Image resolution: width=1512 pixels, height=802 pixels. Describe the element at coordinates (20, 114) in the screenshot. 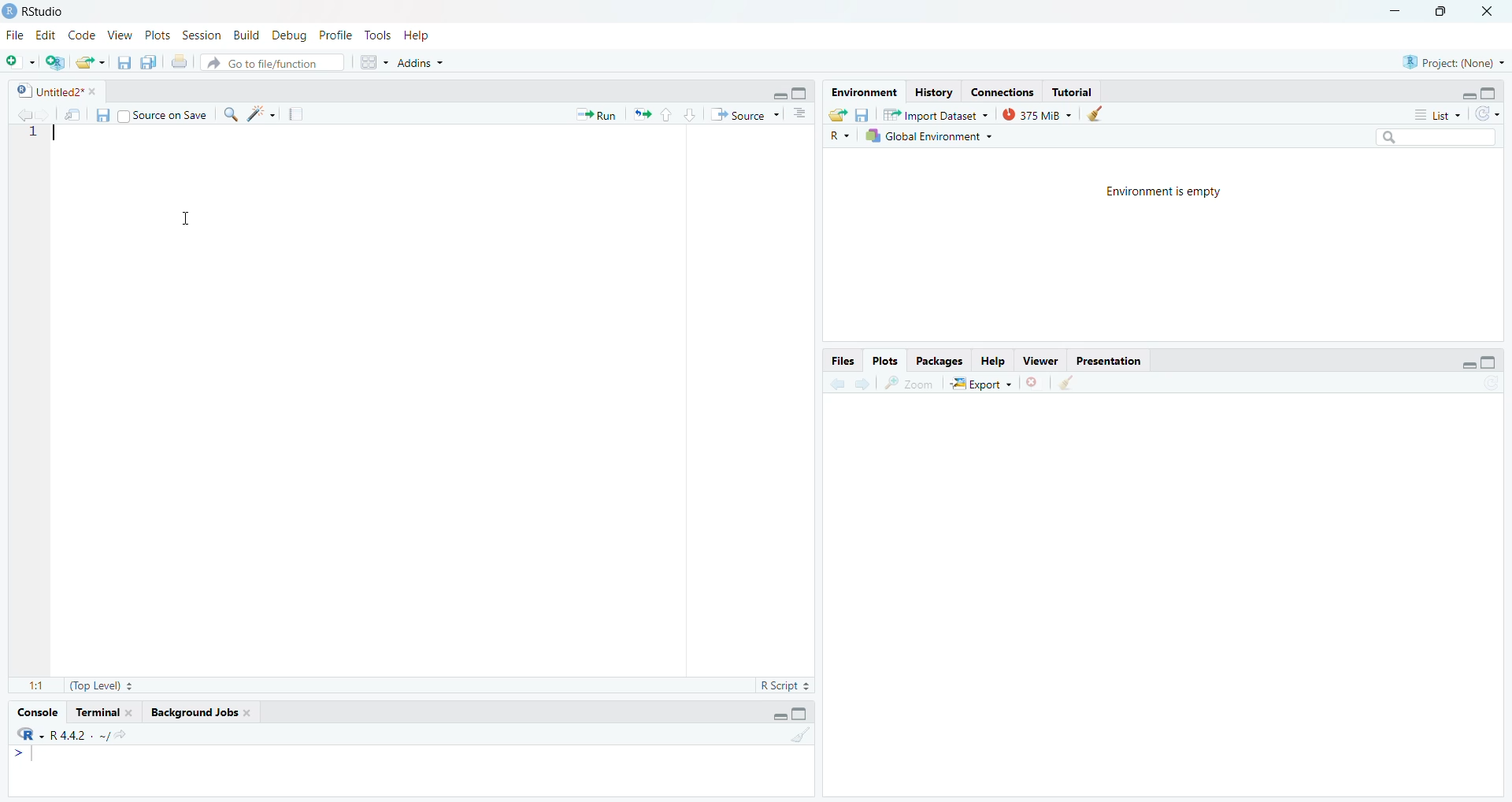

I see `go back to the previous source location` at that location.